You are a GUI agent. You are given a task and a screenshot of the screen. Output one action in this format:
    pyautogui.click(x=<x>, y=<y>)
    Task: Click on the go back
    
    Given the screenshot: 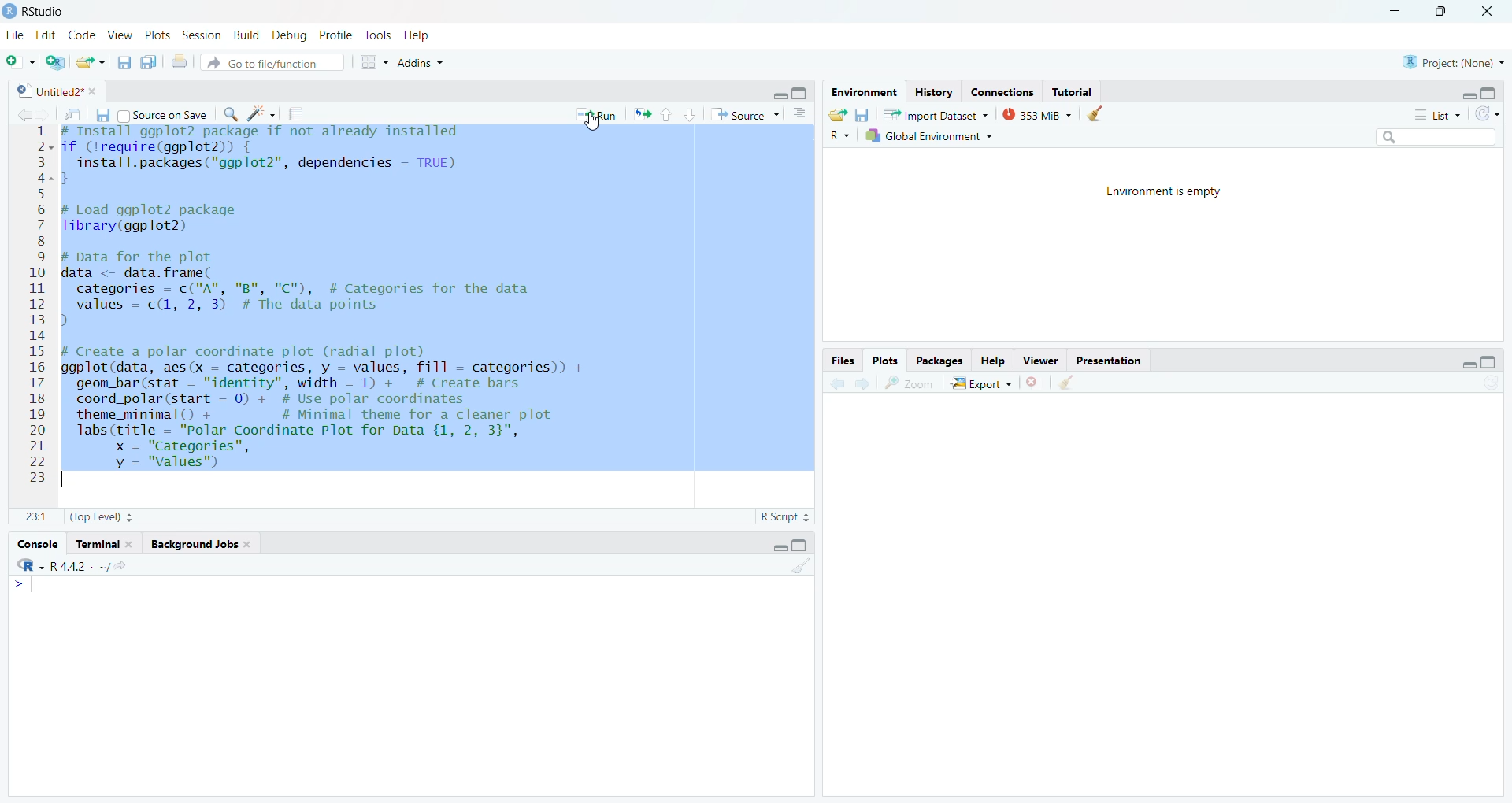 What is the action you would take?
    pyautogui.click(x=834, y=384)
    